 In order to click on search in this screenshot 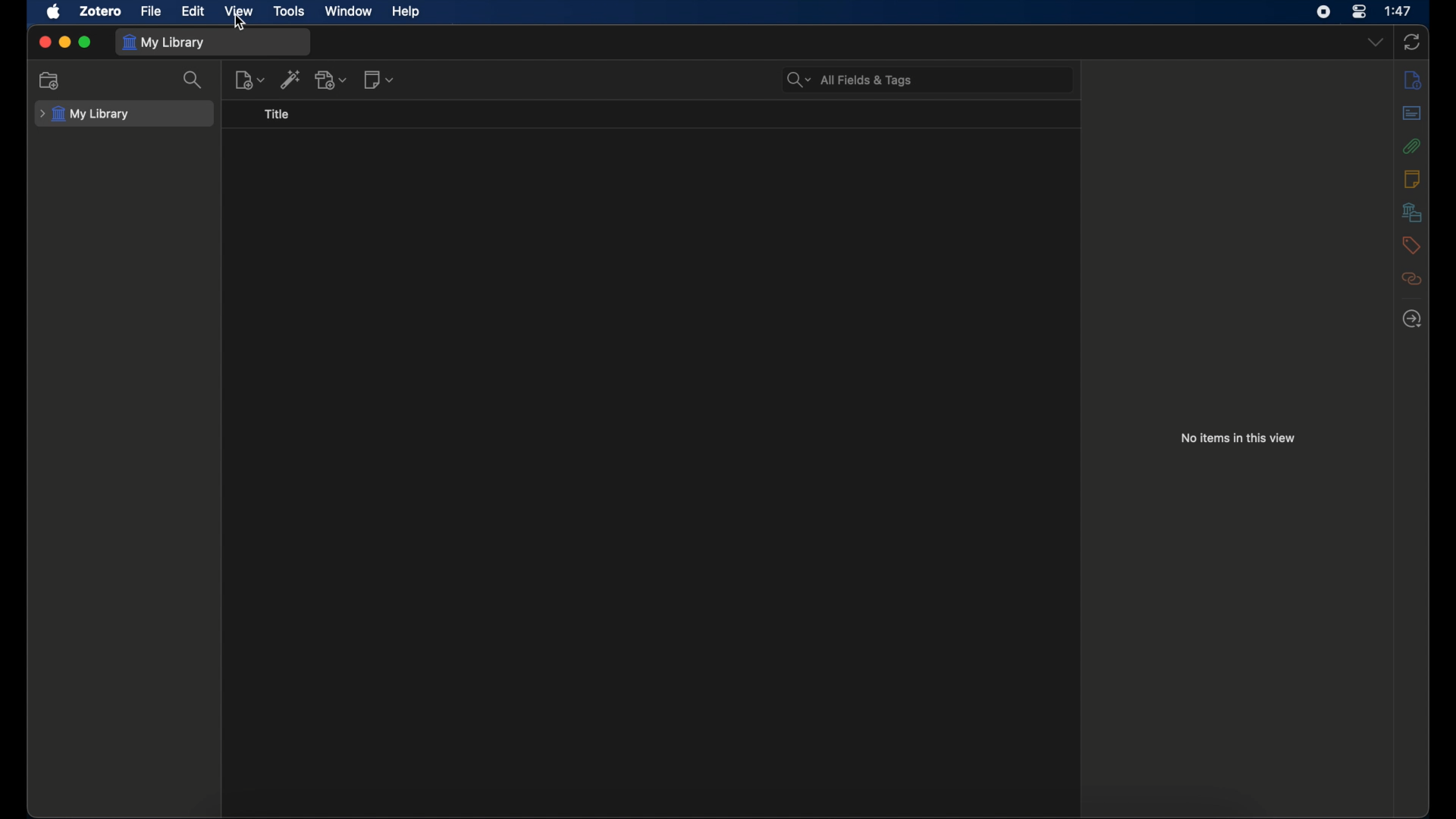, I will do `click(194, 79)`.